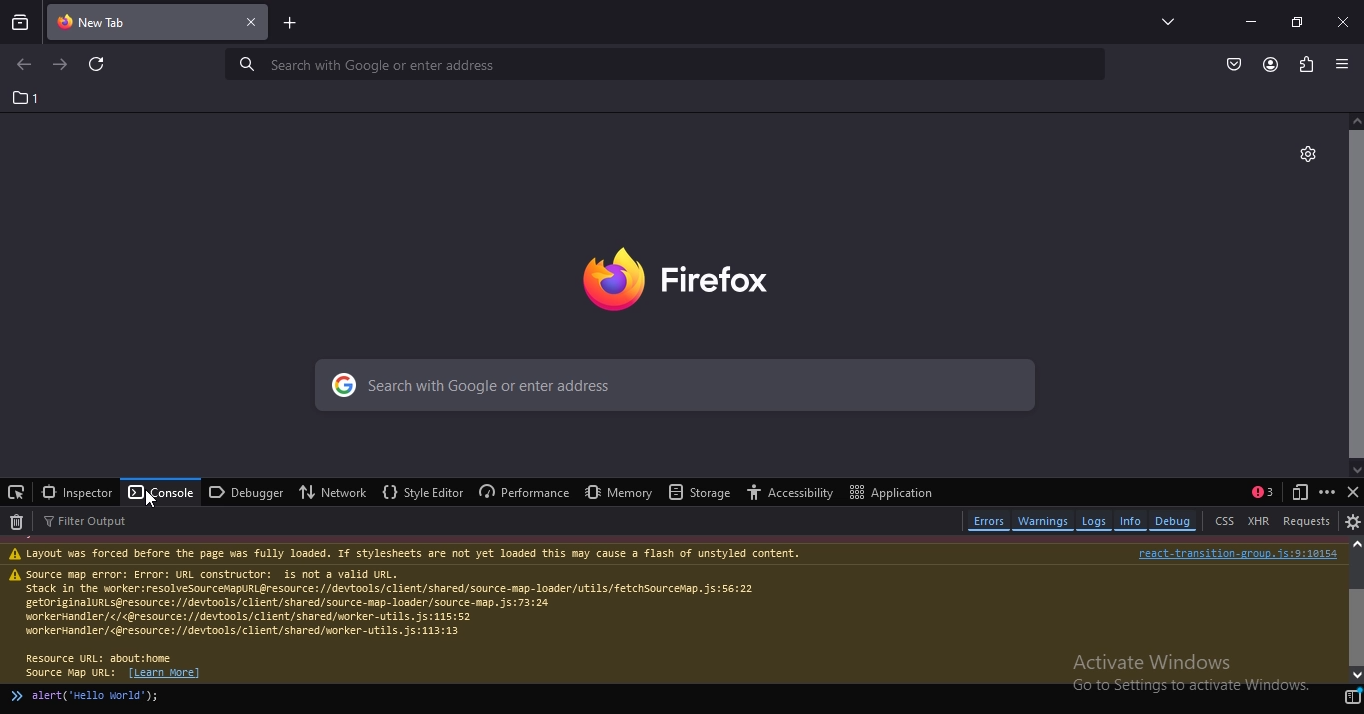  Describe the element at coordinates (76, 493) in the screenshot. I see `inspector` at that location.